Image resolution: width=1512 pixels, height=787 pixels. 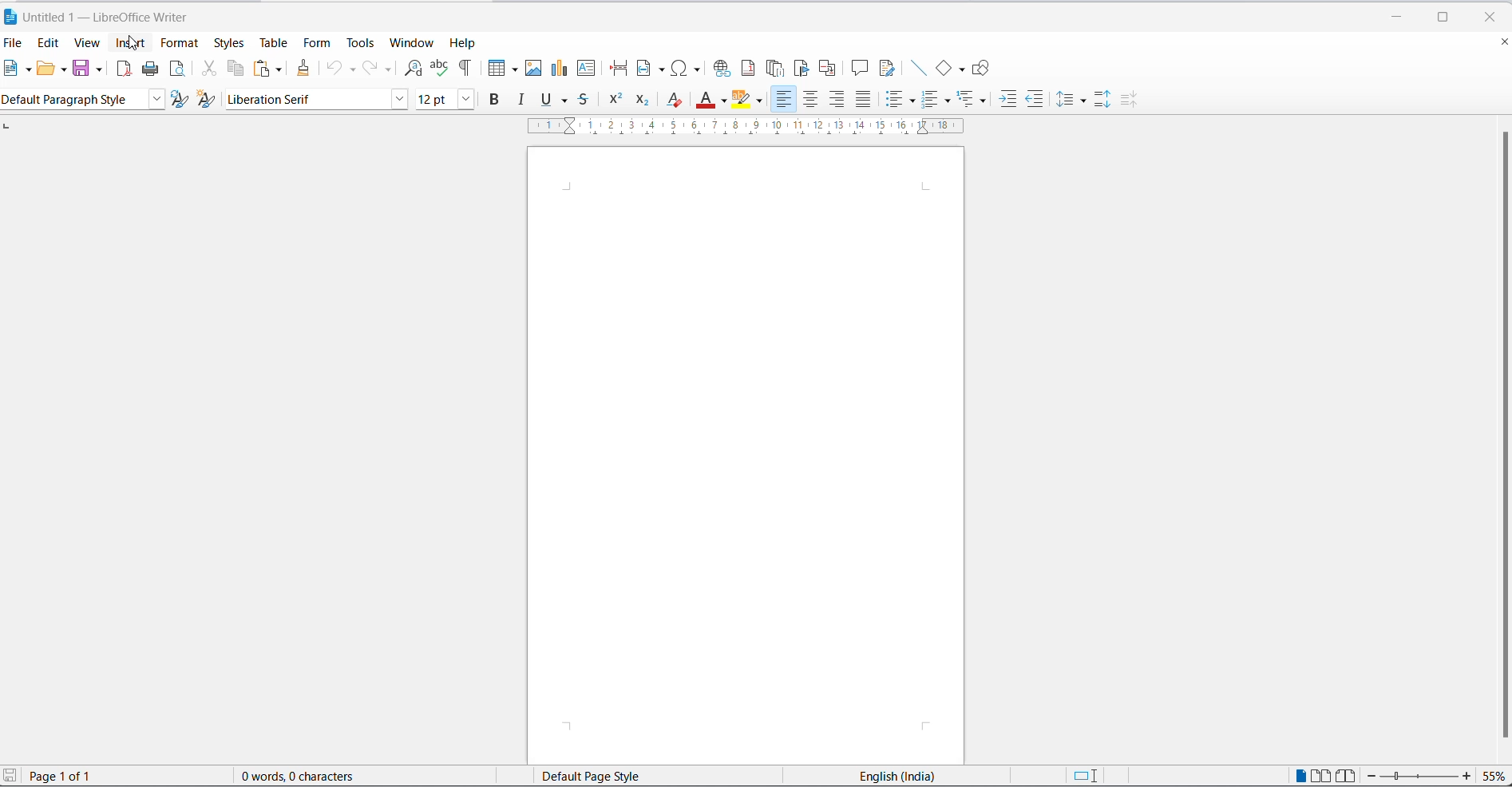 What do you see at coordinates (784, 101) in the screenshot?
I see `text align left` at bounding box center [784, 101].